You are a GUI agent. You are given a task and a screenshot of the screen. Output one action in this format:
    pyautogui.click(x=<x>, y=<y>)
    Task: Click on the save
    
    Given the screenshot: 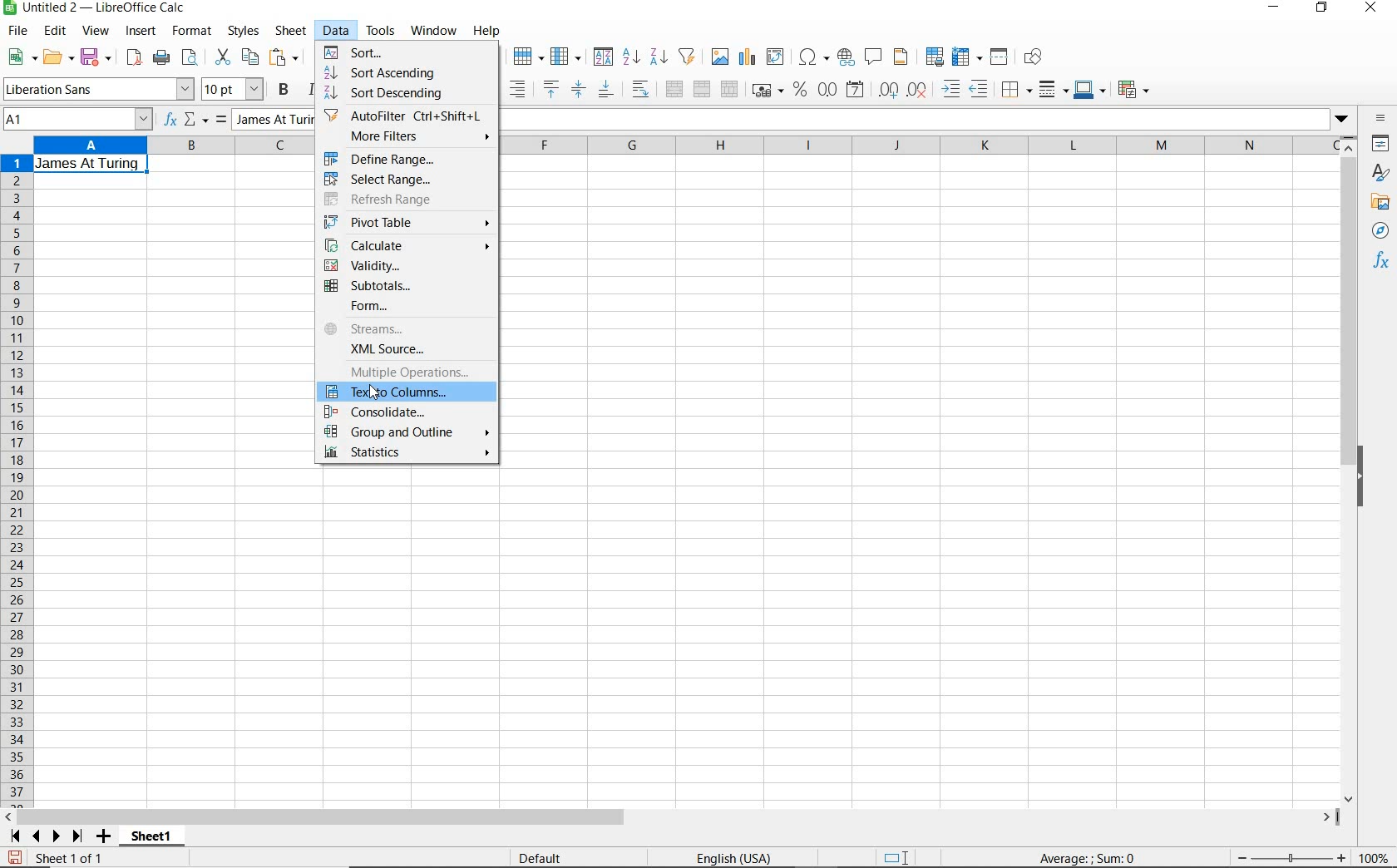 What is the action you would take?
    pyautogui.click(x=14, y=856)
    